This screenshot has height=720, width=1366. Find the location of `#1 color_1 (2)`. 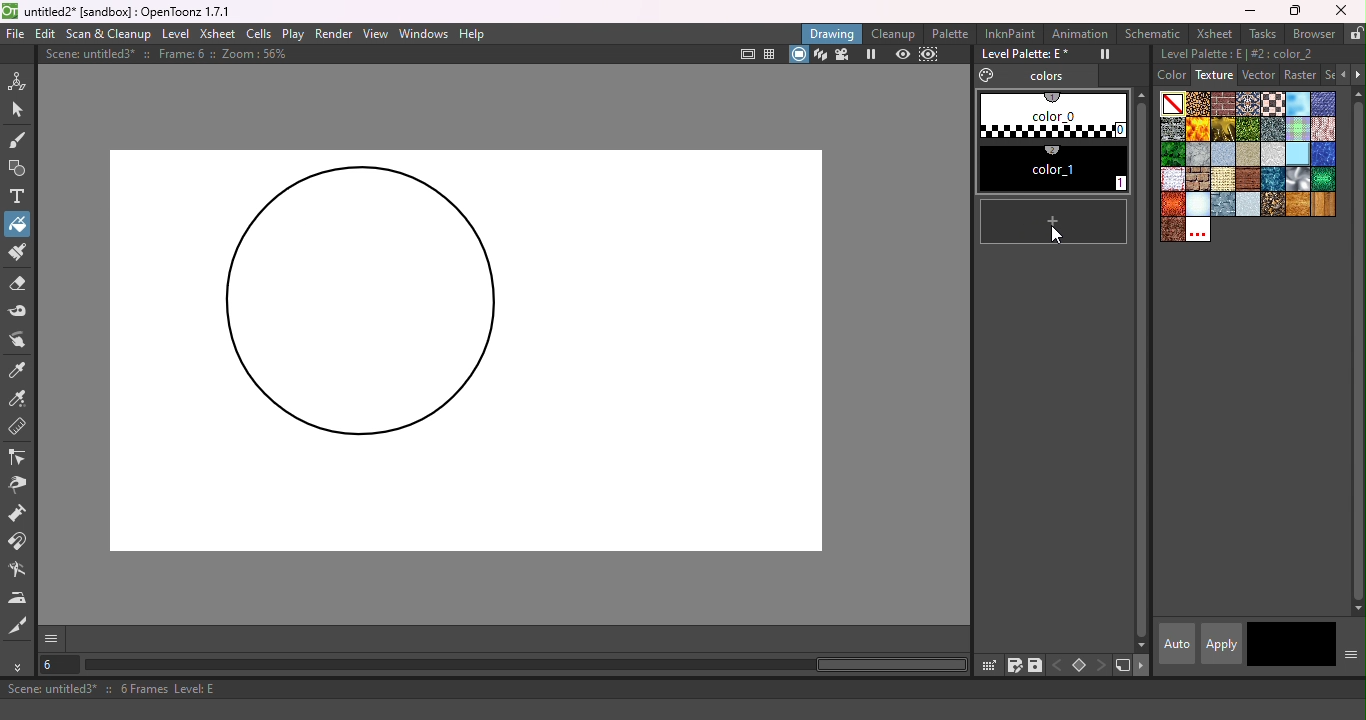

#1 color_1 (2) is located at coordinates (1049, 170).